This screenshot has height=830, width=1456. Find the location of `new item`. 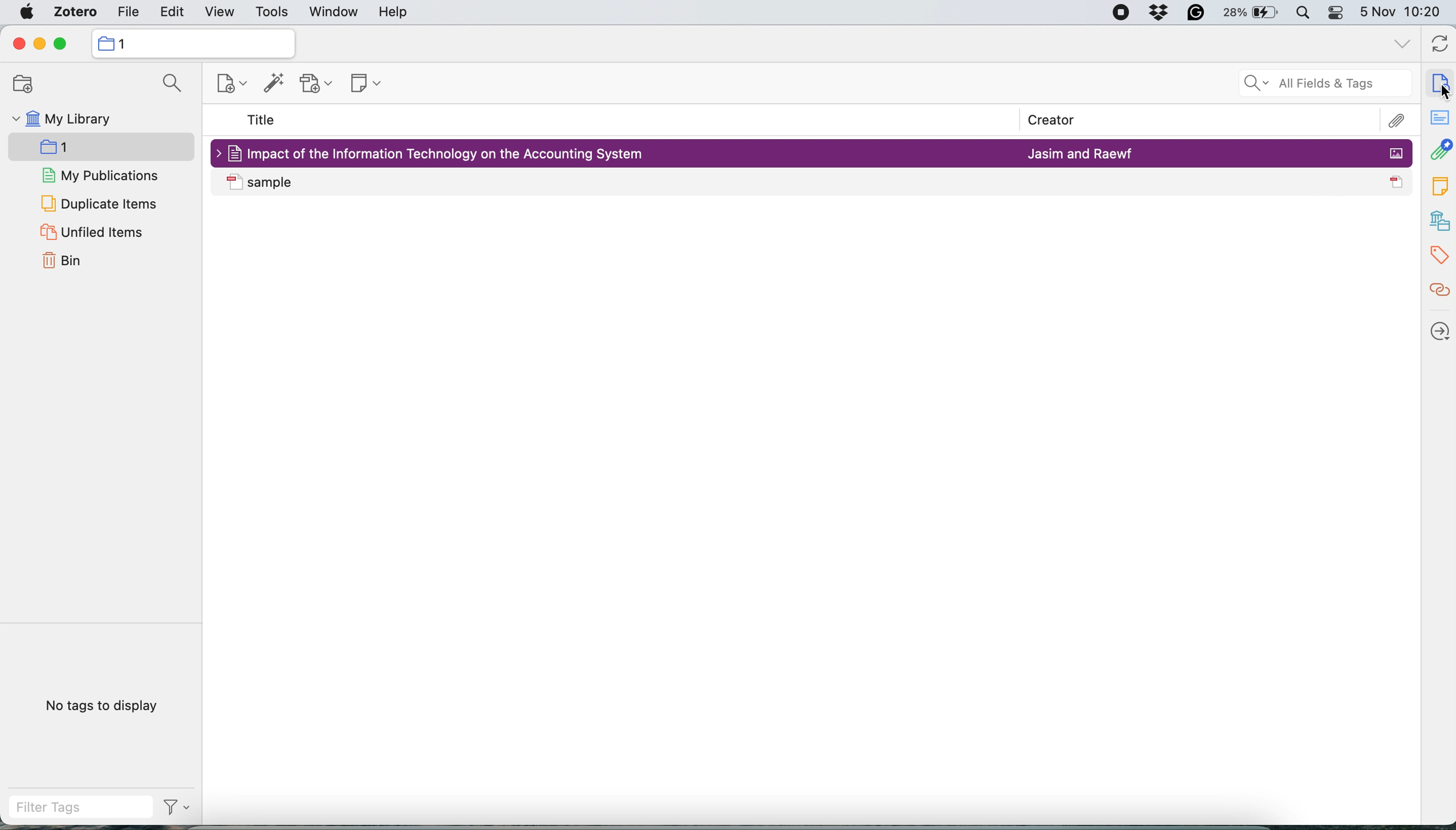

new item is located at coordinates (227, 83).